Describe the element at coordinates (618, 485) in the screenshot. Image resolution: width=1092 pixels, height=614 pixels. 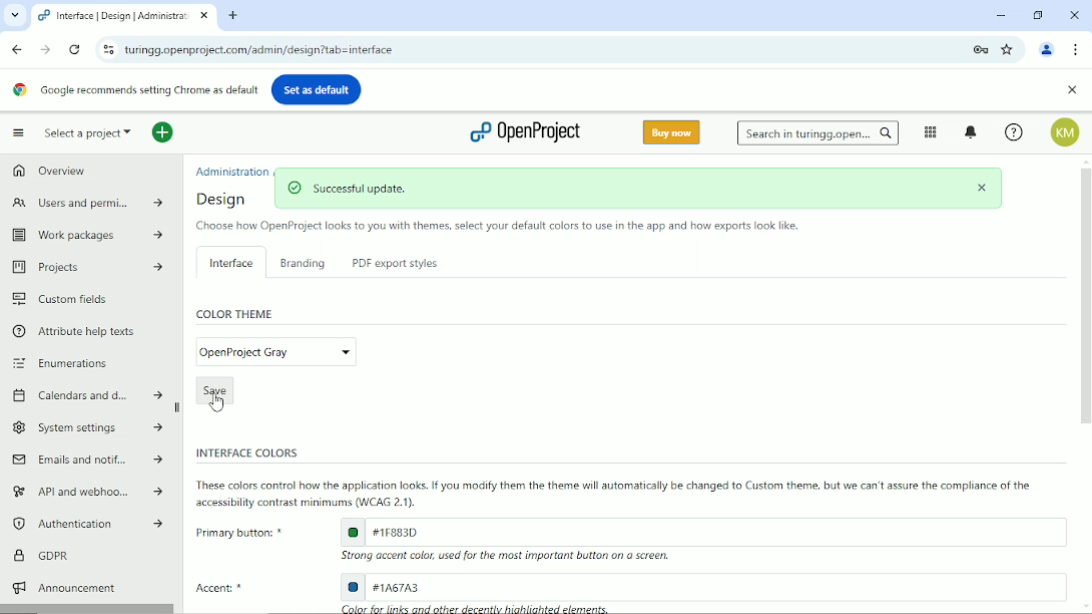
I see `These colors control how the apphcation looks. If you modify them the theme will automatically be changed to Custom theme. but we can t assure the comphance of the` at that location.